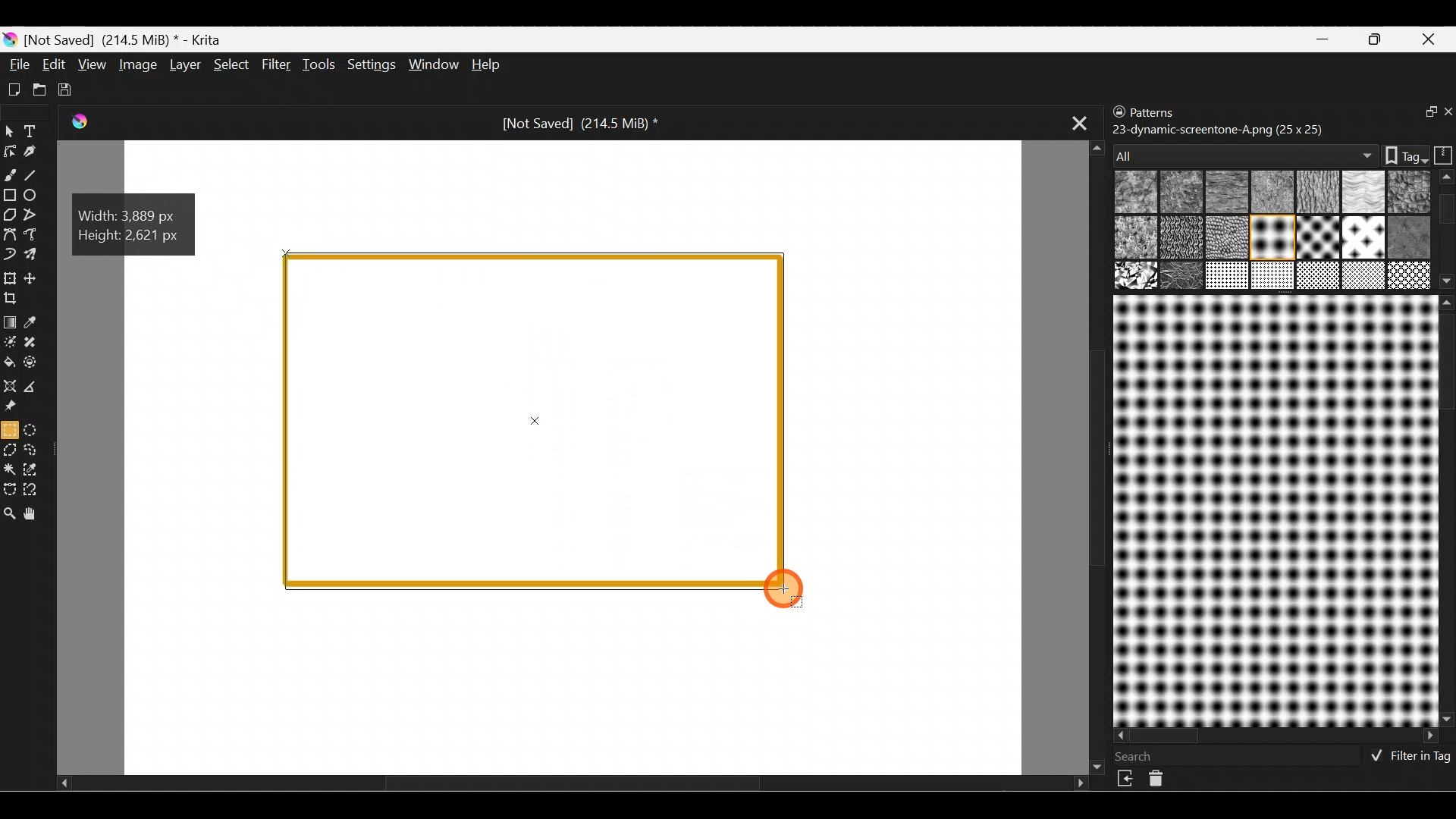  I want to click on Colourise mask tool, so click(9, 341).